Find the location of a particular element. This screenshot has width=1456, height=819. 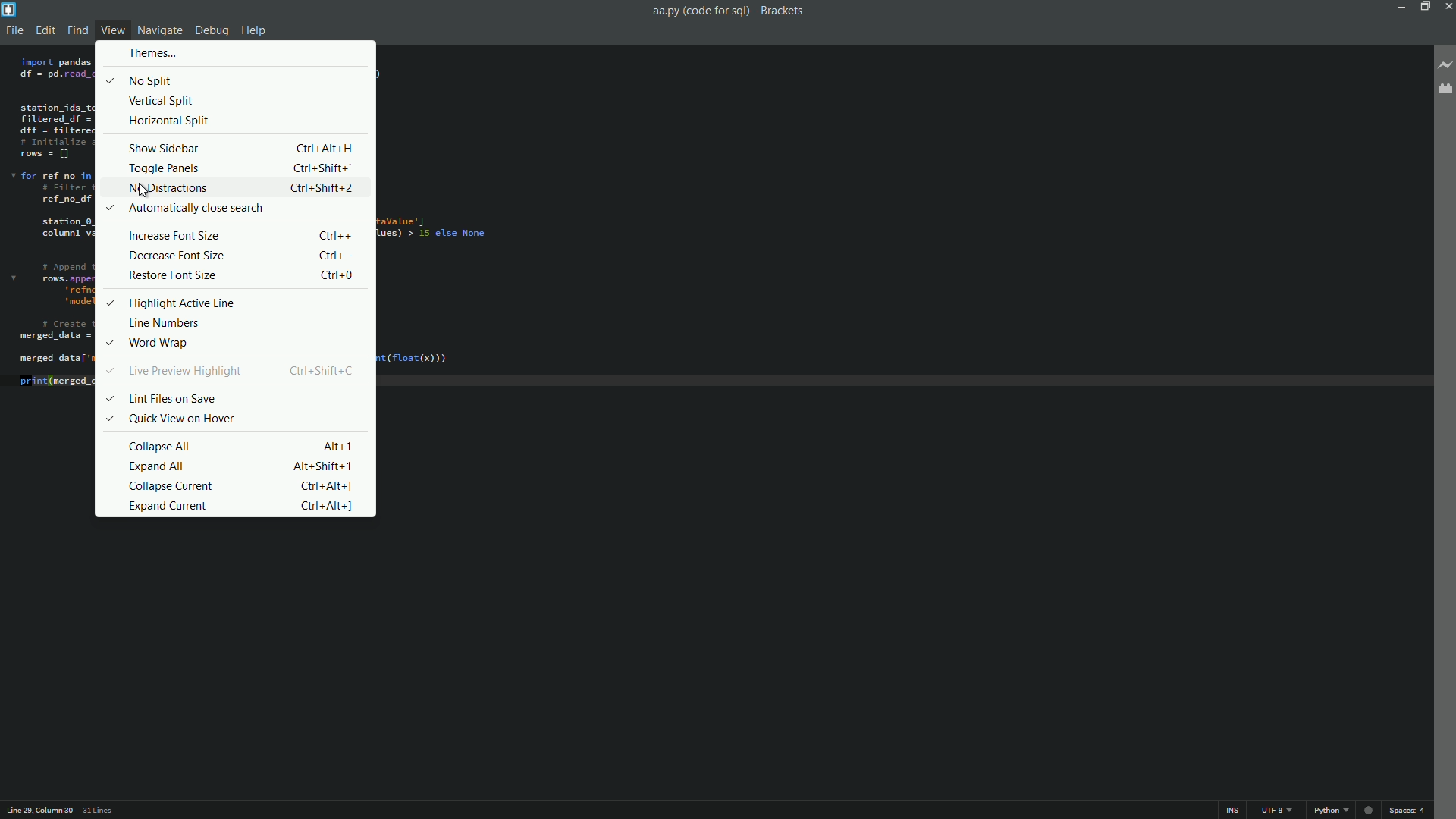

Selected is located at coordinates (111, 207).